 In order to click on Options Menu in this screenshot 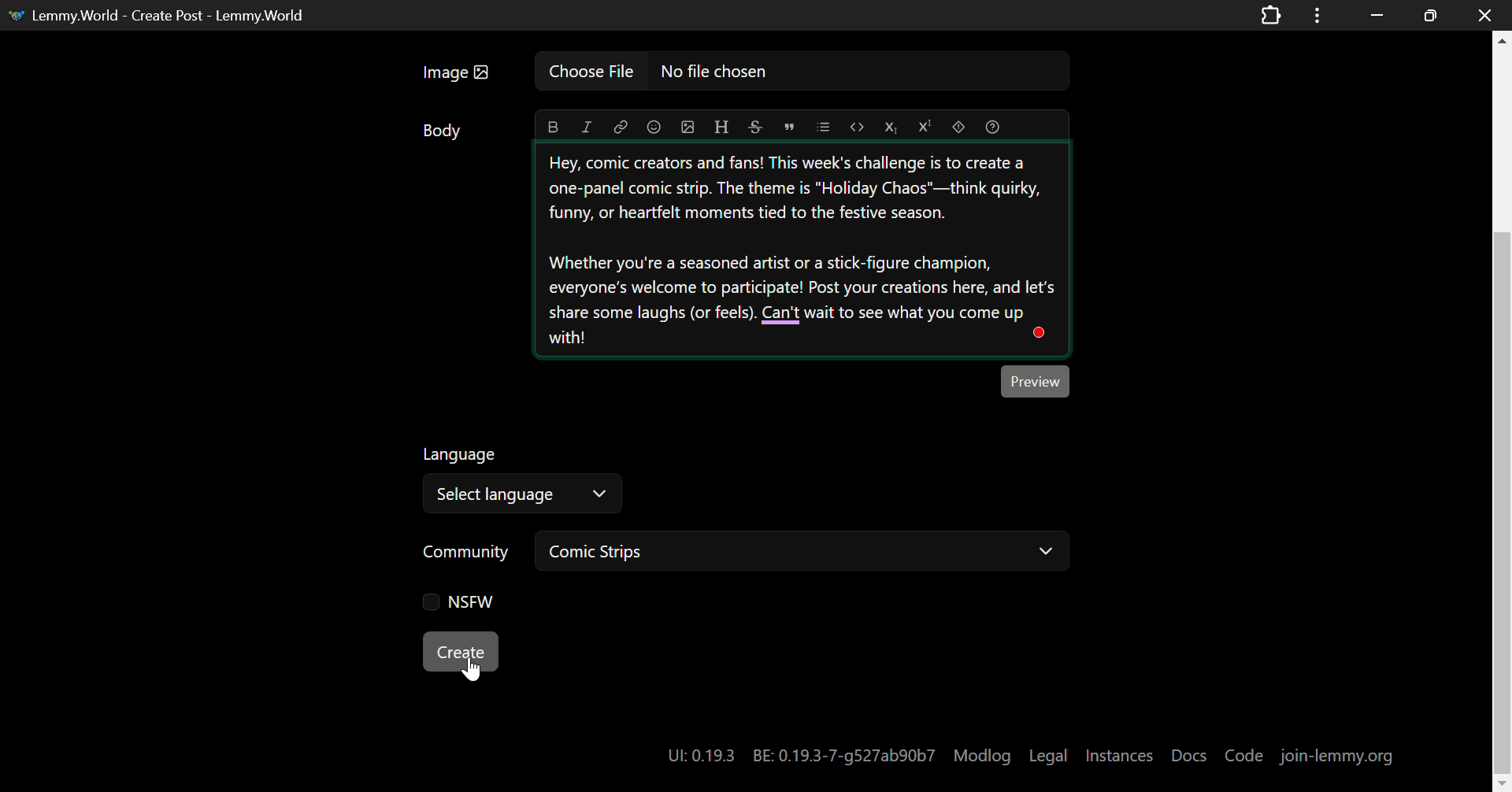, I will do `click(1314, 14)`.